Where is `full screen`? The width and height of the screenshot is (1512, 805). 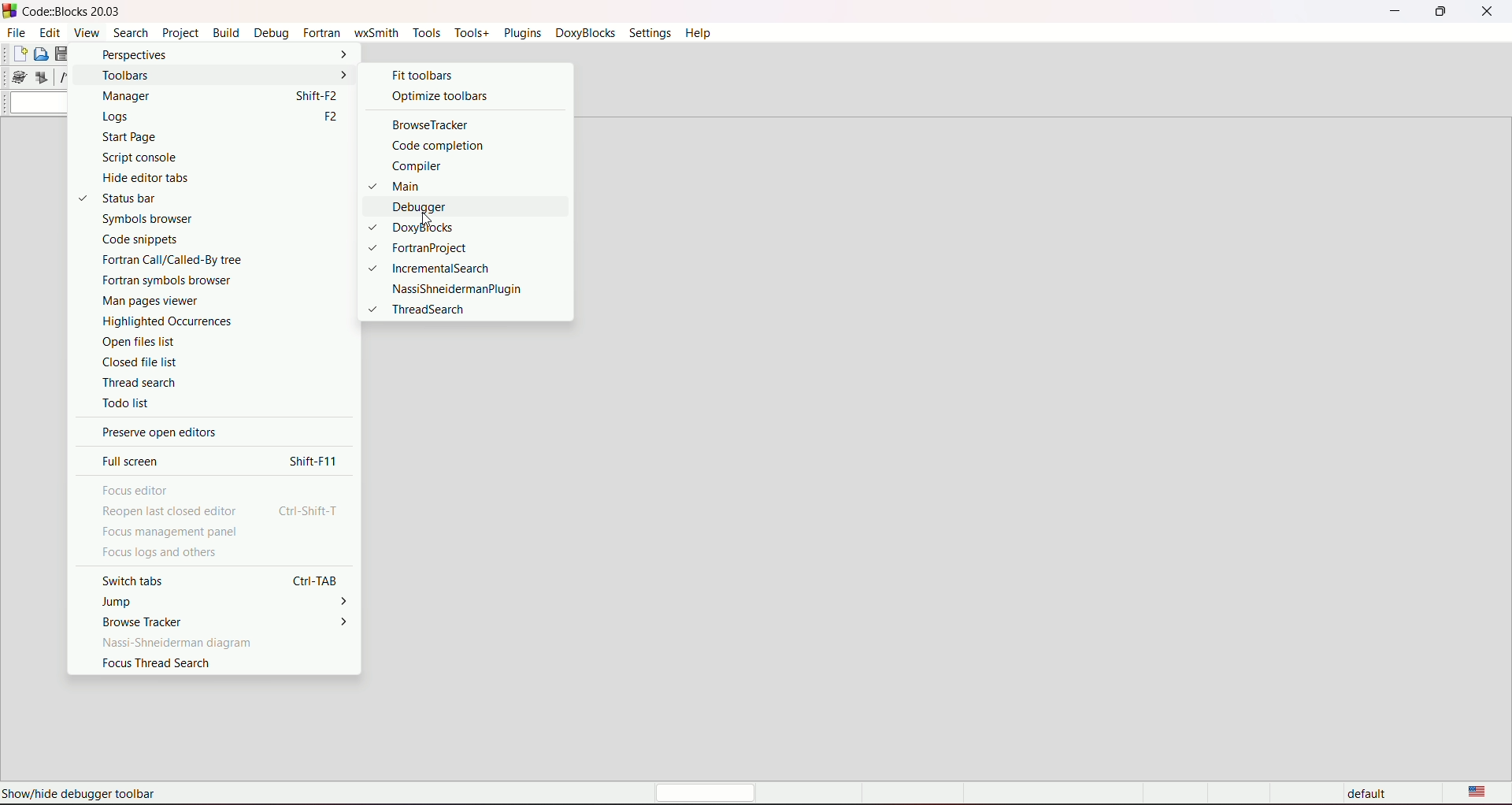 full screen is located at coordinates (134, 461).